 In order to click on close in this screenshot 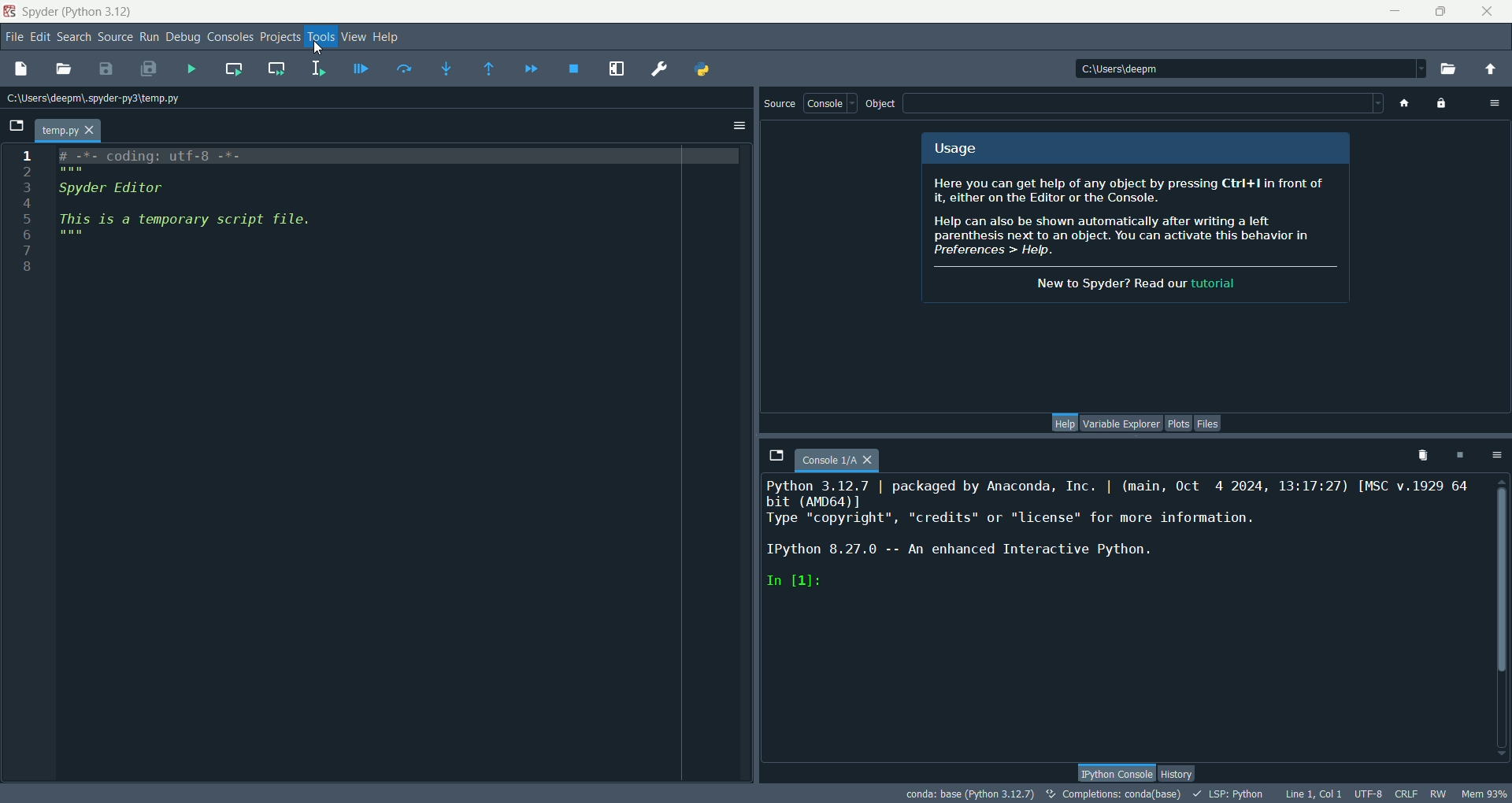, I will do `click(1488, 11)`.